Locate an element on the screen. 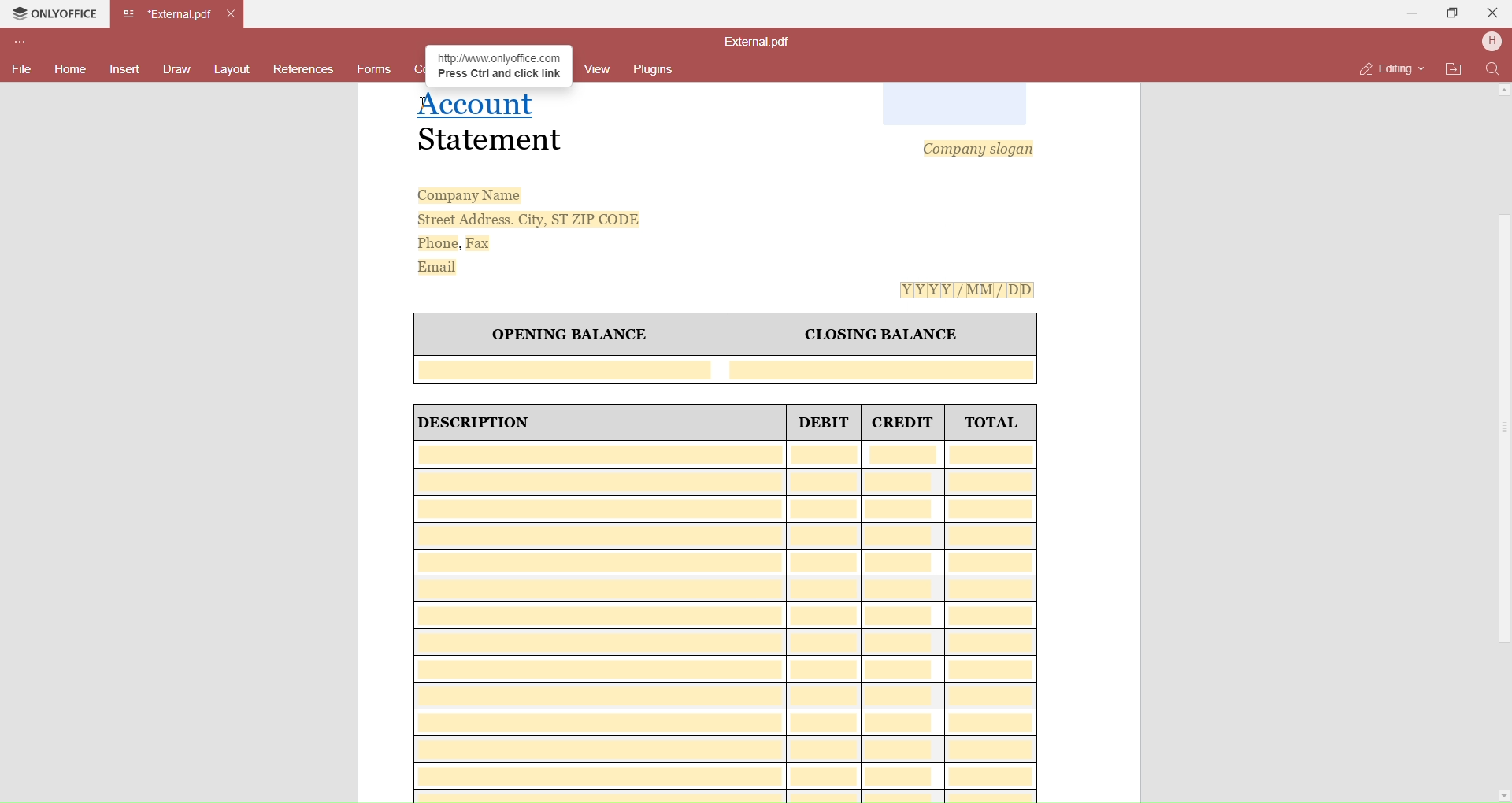  File is located at coordinates (22, 70).